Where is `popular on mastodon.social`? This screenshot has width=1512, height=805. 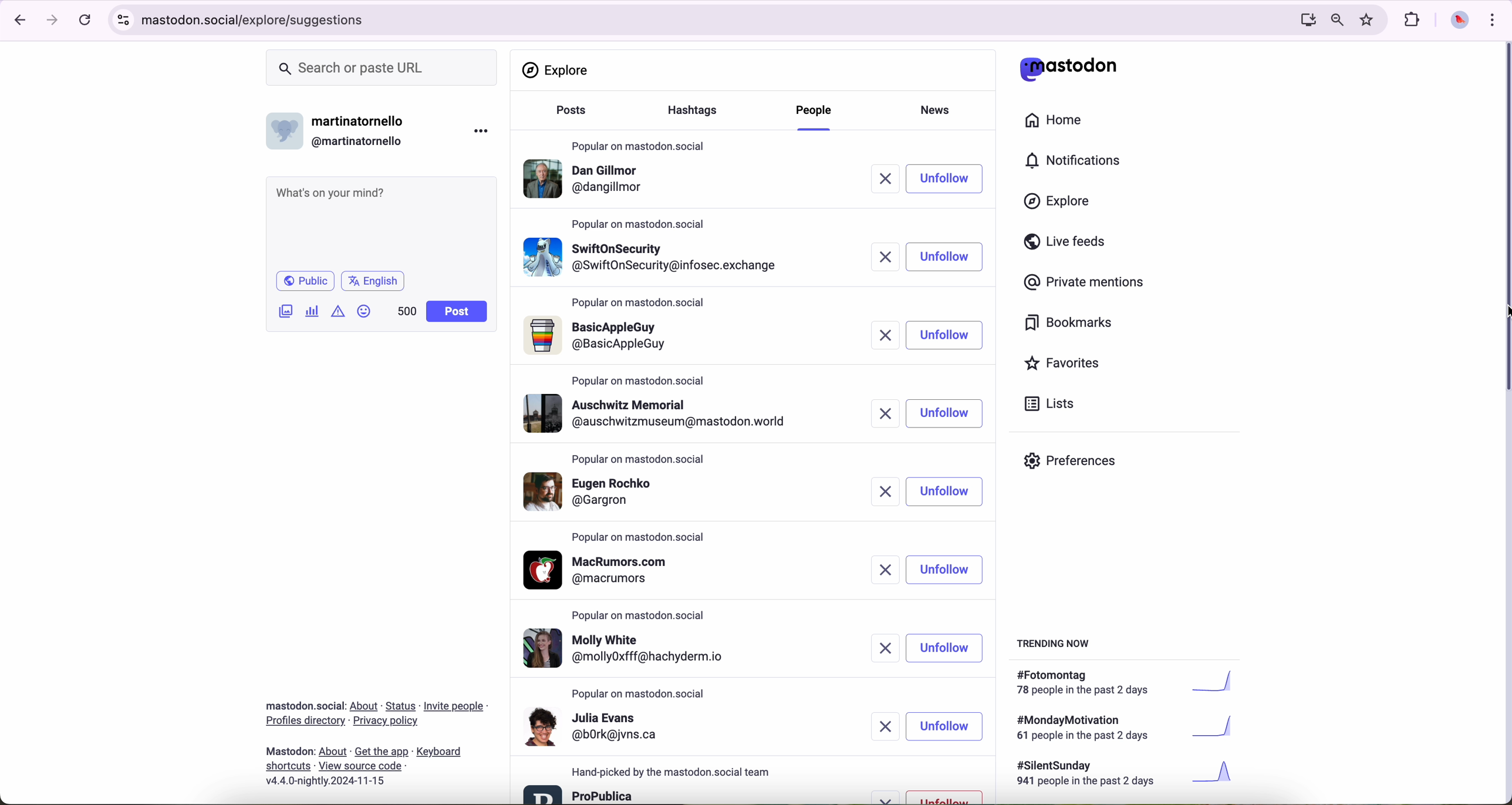 popular on mastodon.social is located at coordinates (637, 457).